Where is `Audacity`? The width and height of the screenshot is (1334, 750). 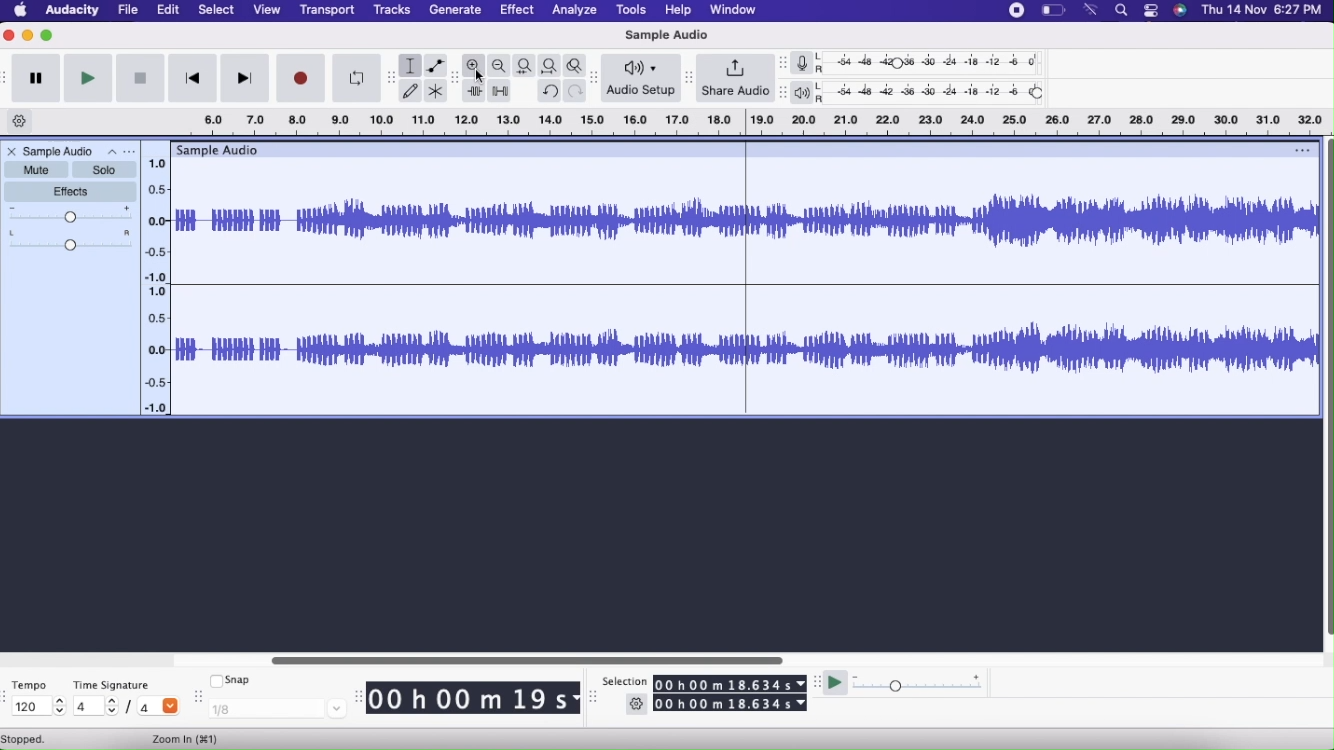 Audacity is located at coordinates (71, 12).